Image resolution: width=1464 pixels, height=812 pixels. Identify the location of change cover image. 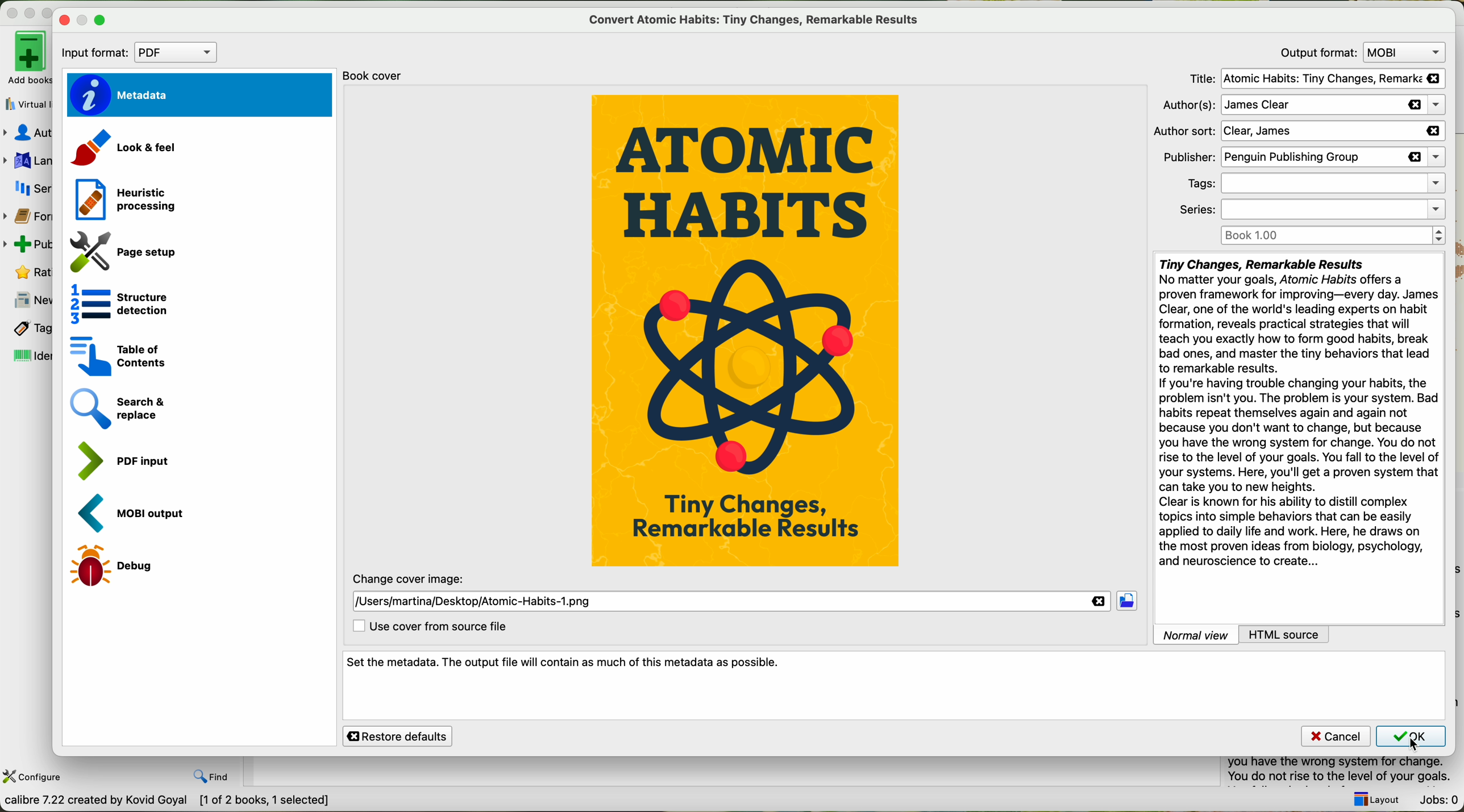
(411, 578).